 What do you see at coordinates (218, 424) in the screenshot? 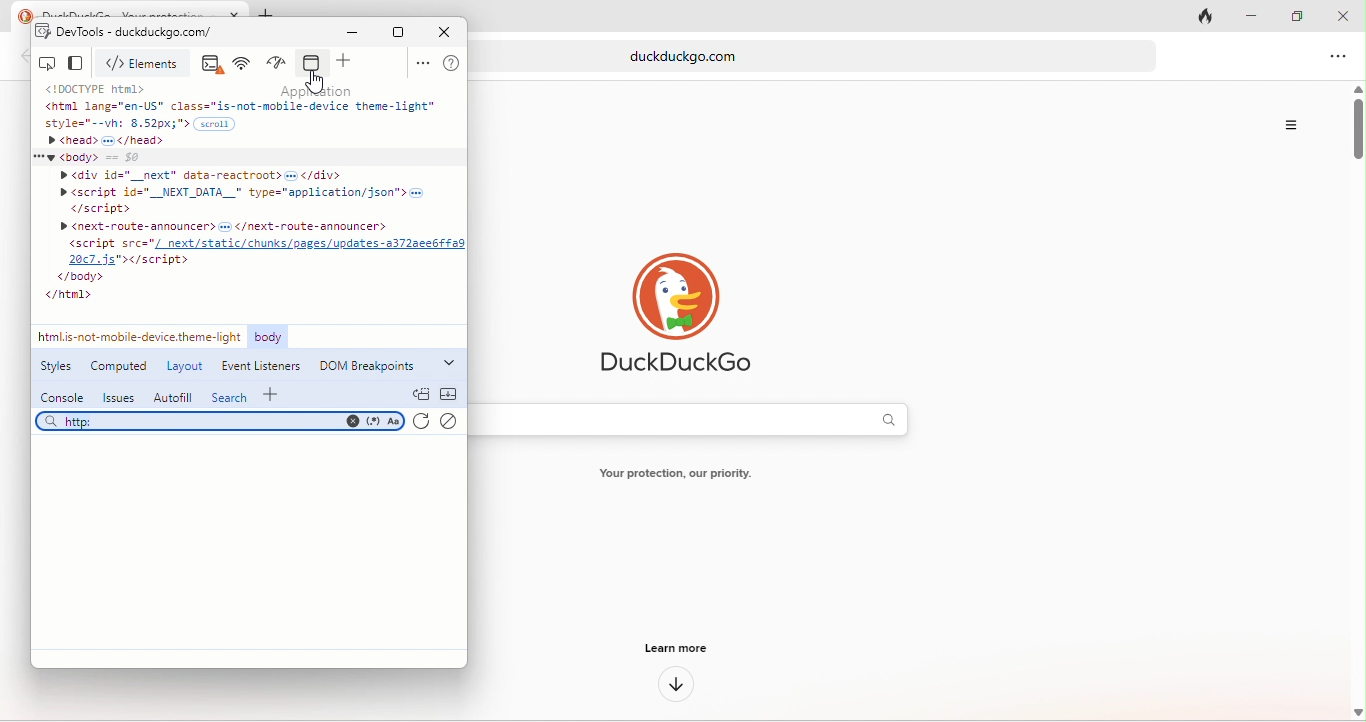
I see `search bar` at bounding box center [218, 424].